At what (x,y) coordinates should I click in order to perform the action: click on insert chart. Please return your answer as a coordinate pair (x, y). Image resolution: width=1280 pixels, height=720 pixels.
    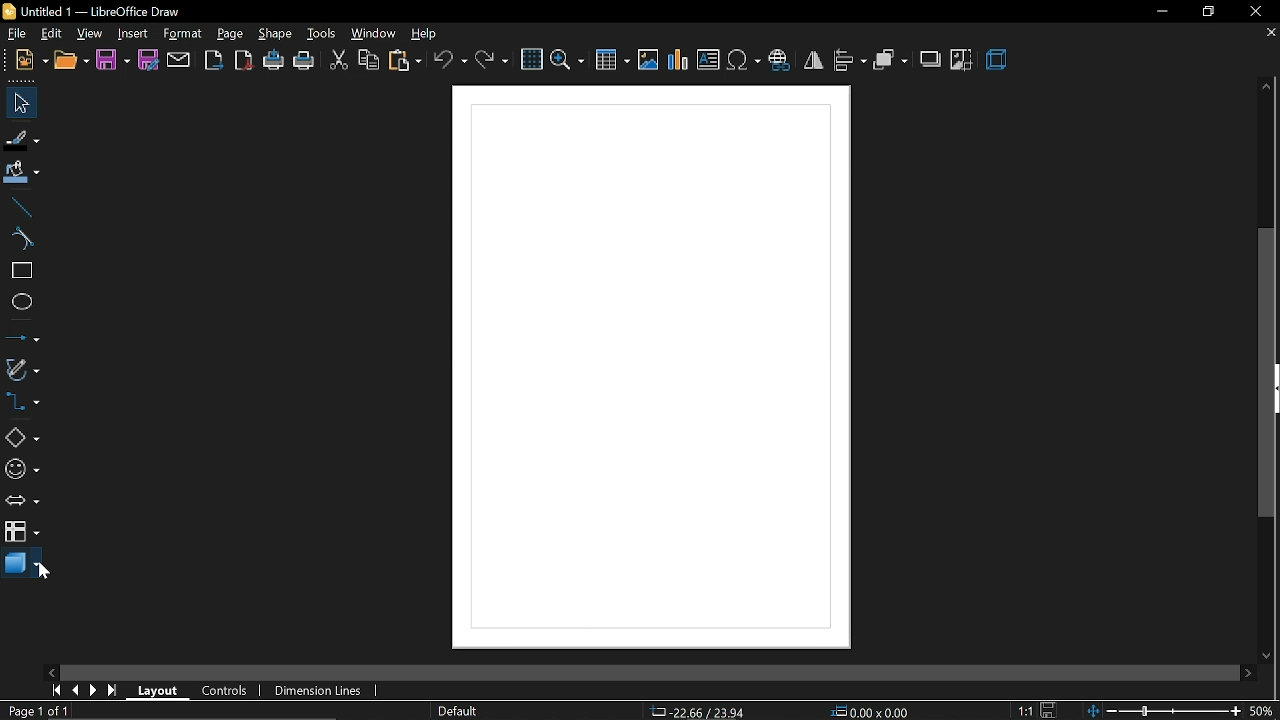
    Looking at the image, I should click on (678, 60).